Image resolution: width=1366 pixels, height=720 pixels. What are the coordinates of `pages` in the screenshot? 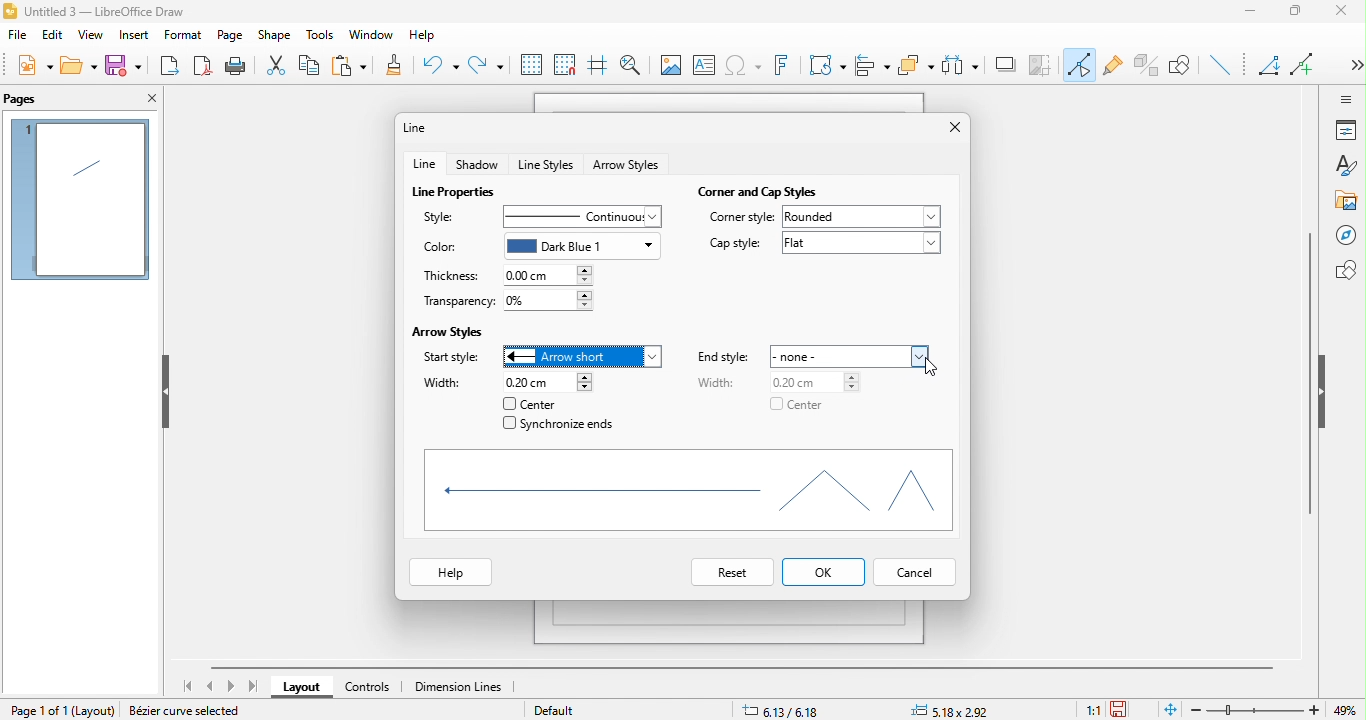 It's located at (36, 98).